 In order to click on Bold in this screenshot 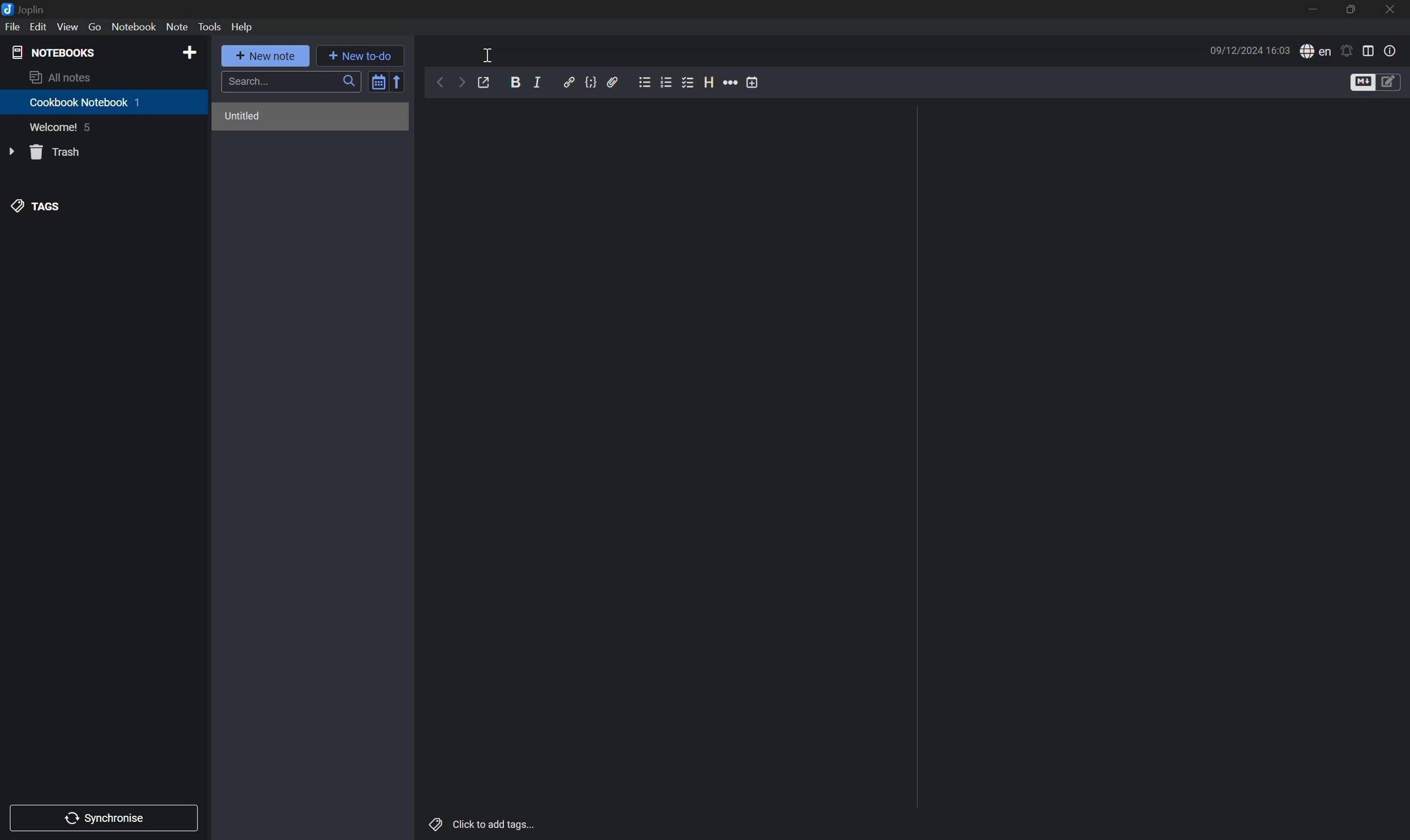, I will do `click(518, 80)`.